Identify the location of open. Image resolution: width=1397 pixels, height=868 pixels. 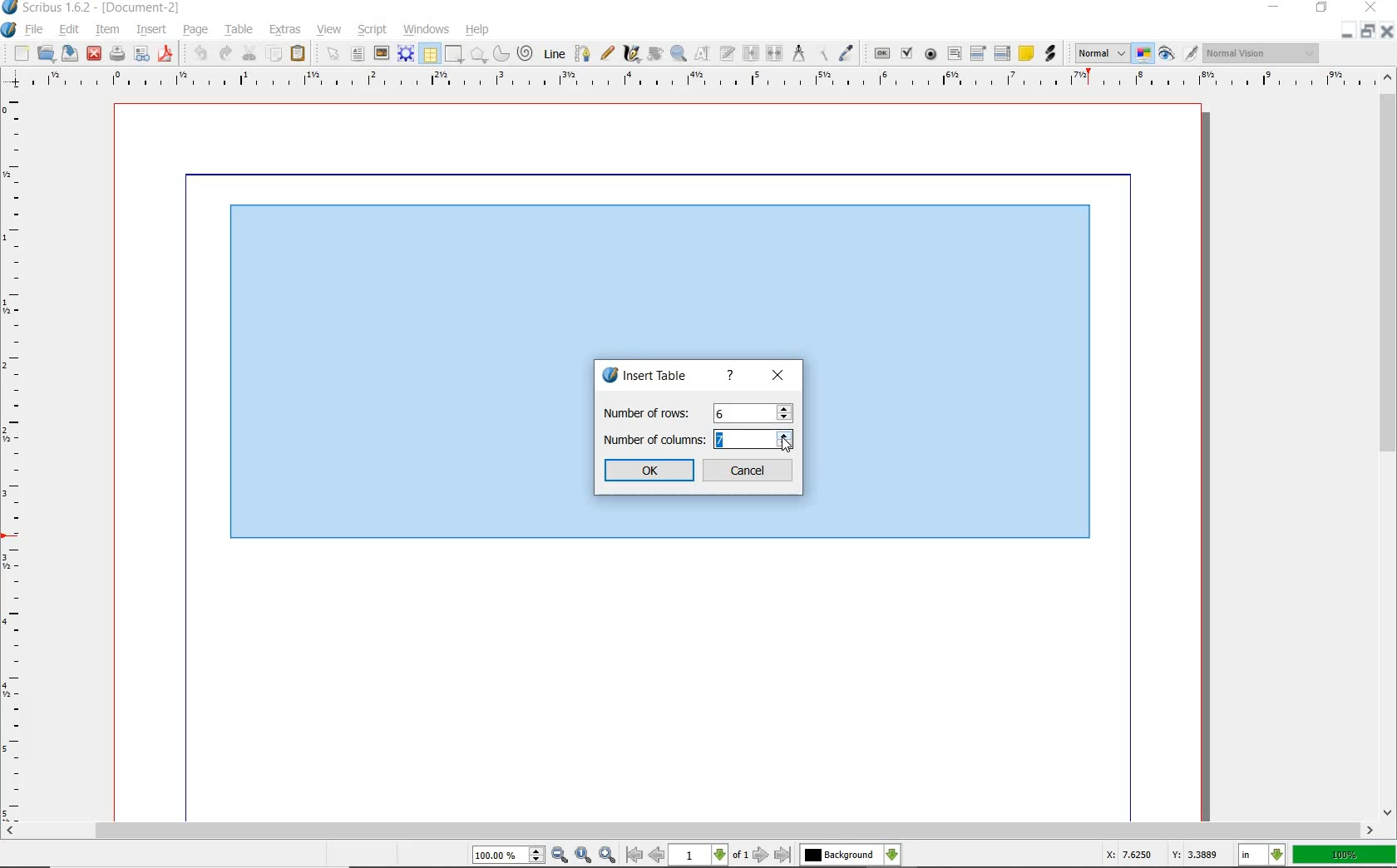
(46, 54).